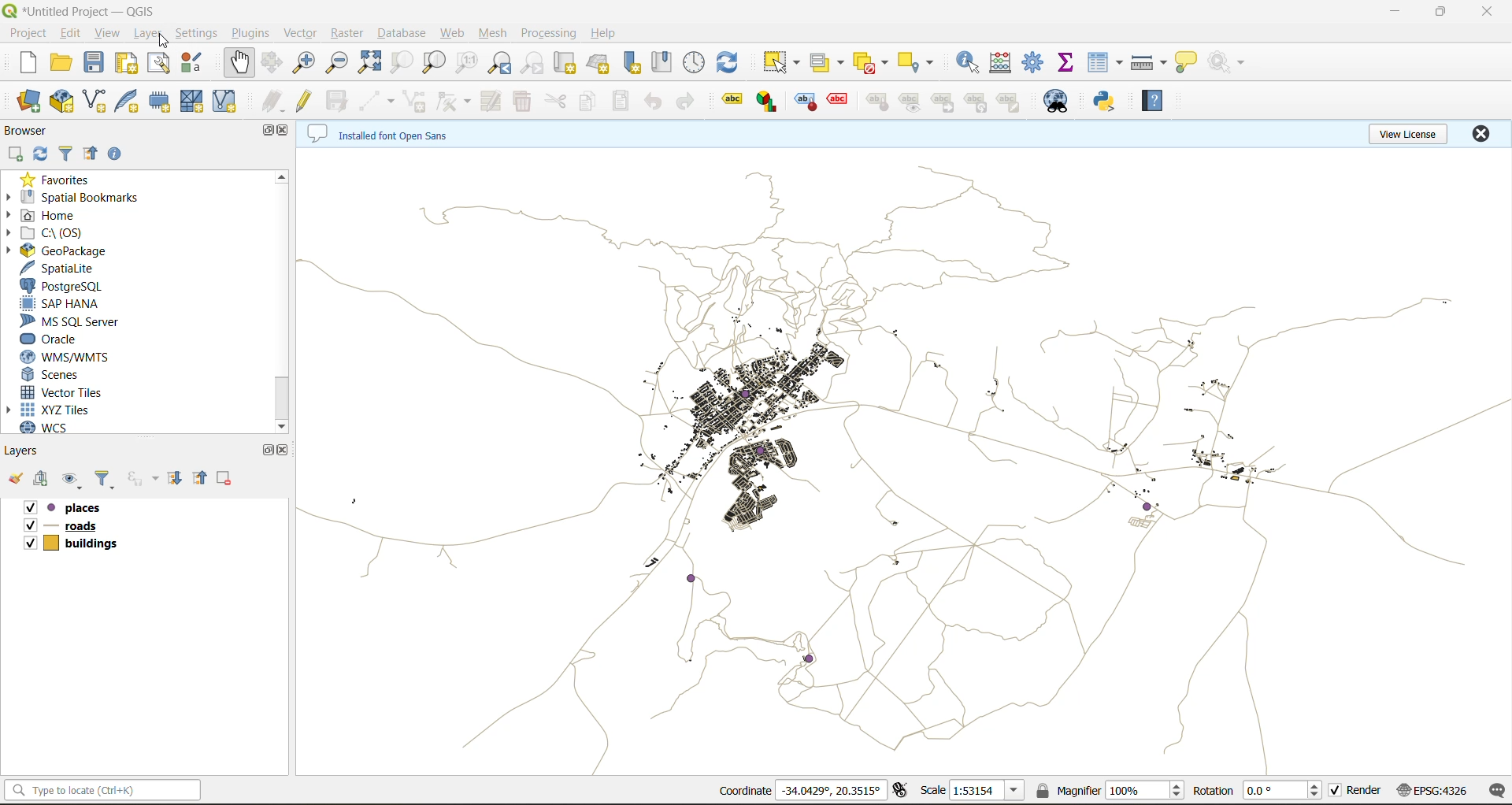 This screenshot has width=1512, height=805. I want to click on browser, so click(32, 129).